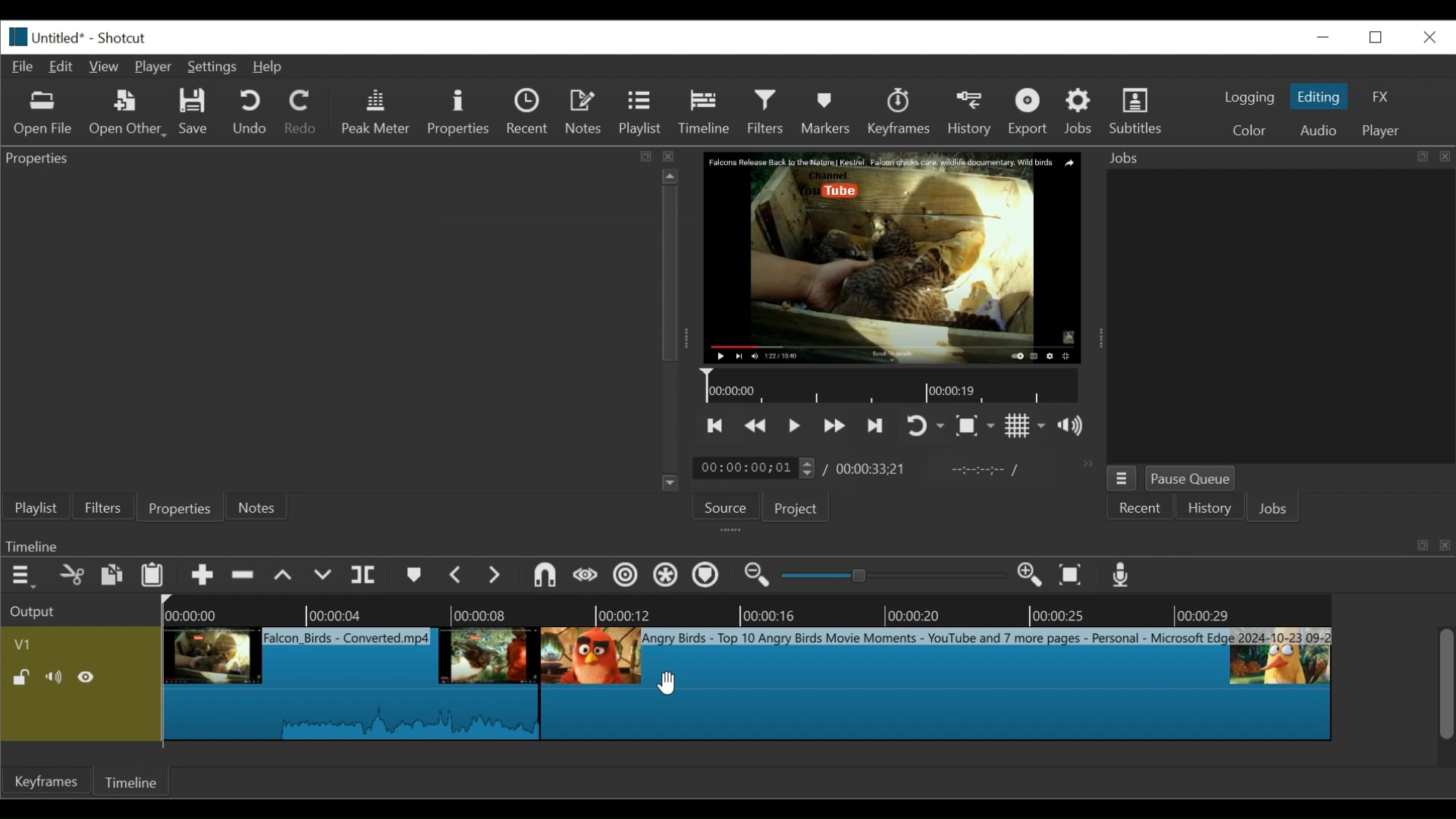 This screenshot has width=1456, height=819. What do you see at coordinates (14, 37) in the screenshot?
I see `Shotcut logo` at bounding box center [14, 37].